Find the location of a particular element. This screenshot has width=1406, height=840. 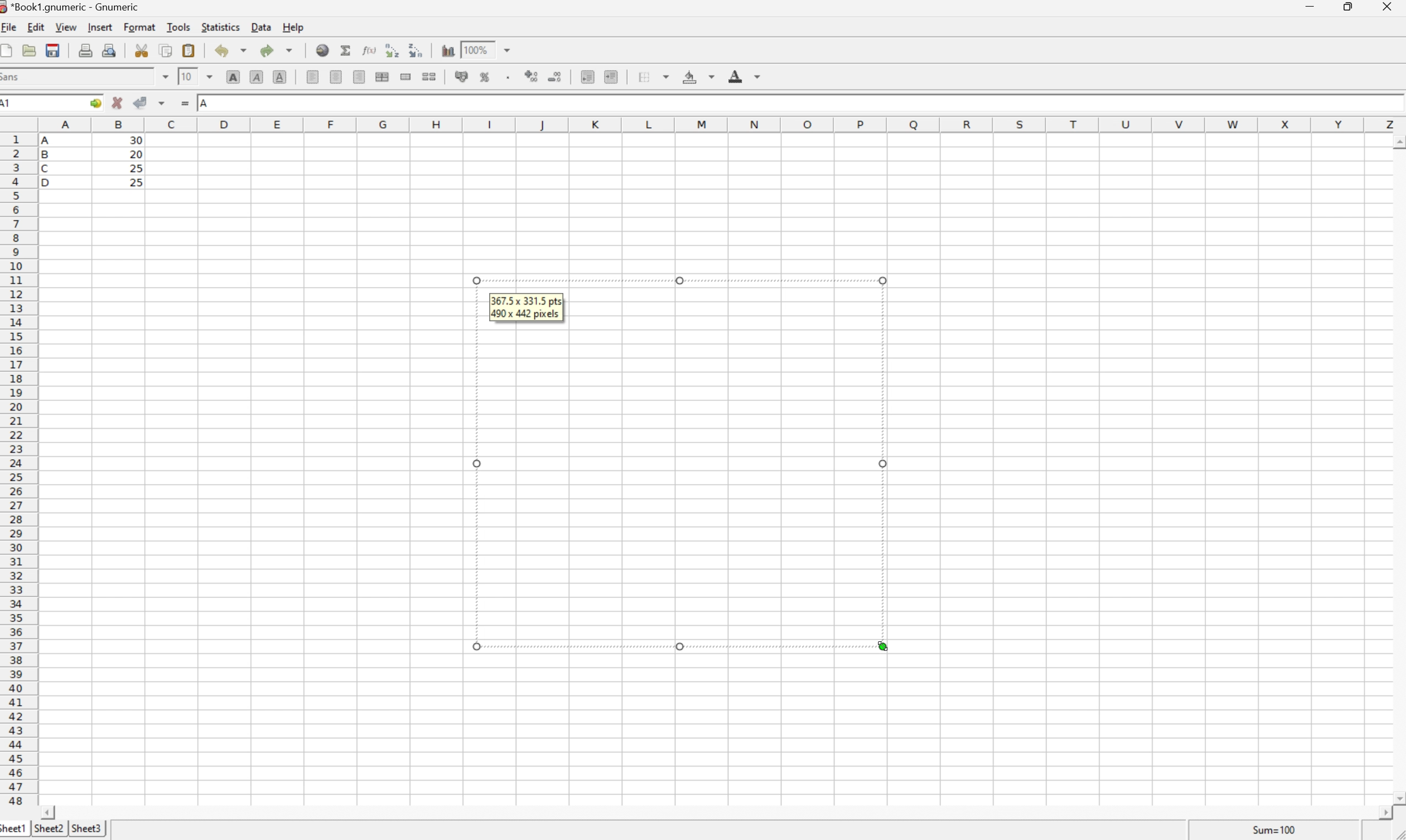

30 is located at coordinates (135, 142).